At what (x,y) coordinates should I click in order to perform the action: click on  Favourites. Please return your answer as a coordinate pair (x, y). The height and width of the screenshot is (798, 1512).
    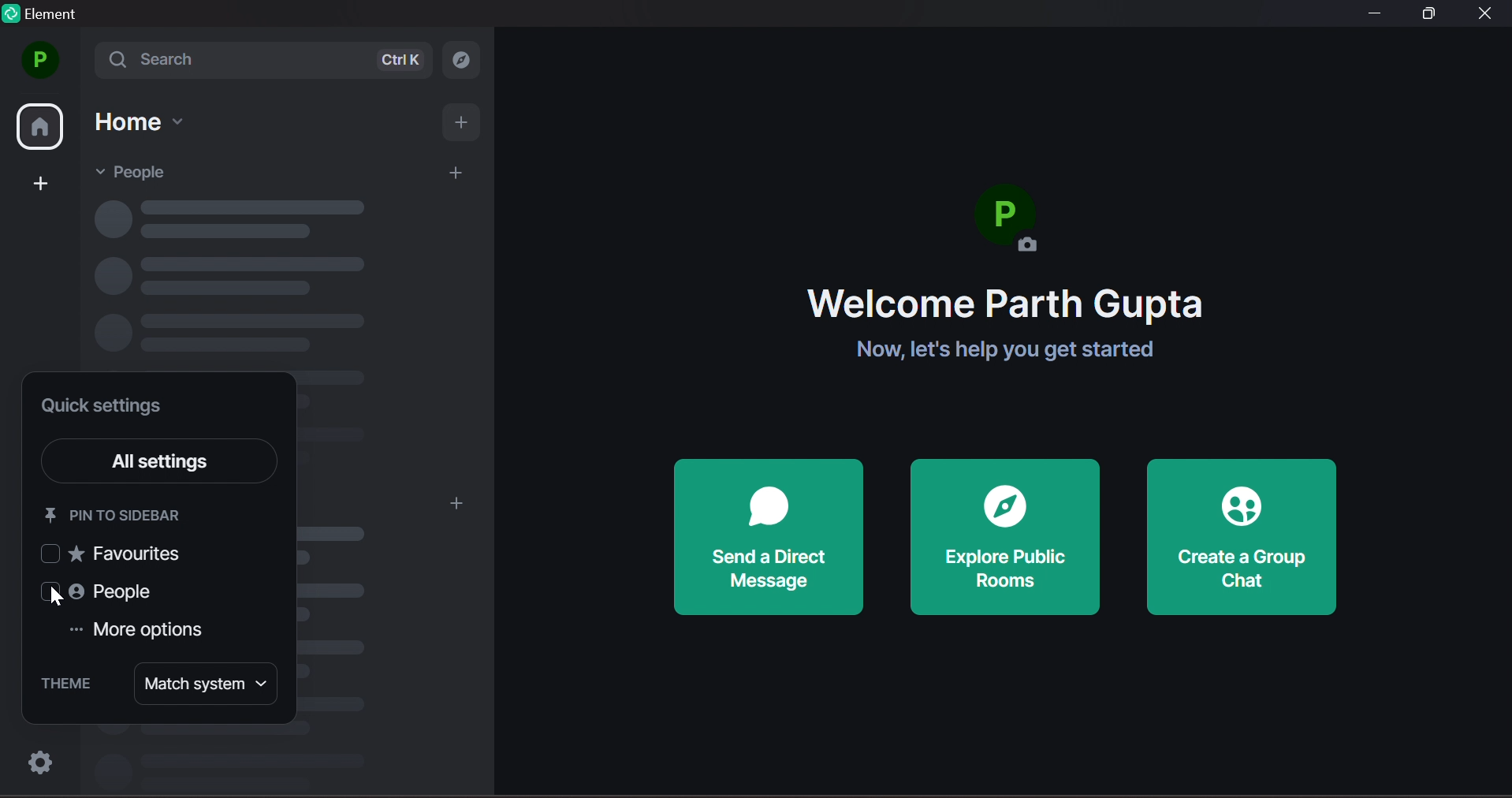
    Looking at the image, I should click on (116, 554).